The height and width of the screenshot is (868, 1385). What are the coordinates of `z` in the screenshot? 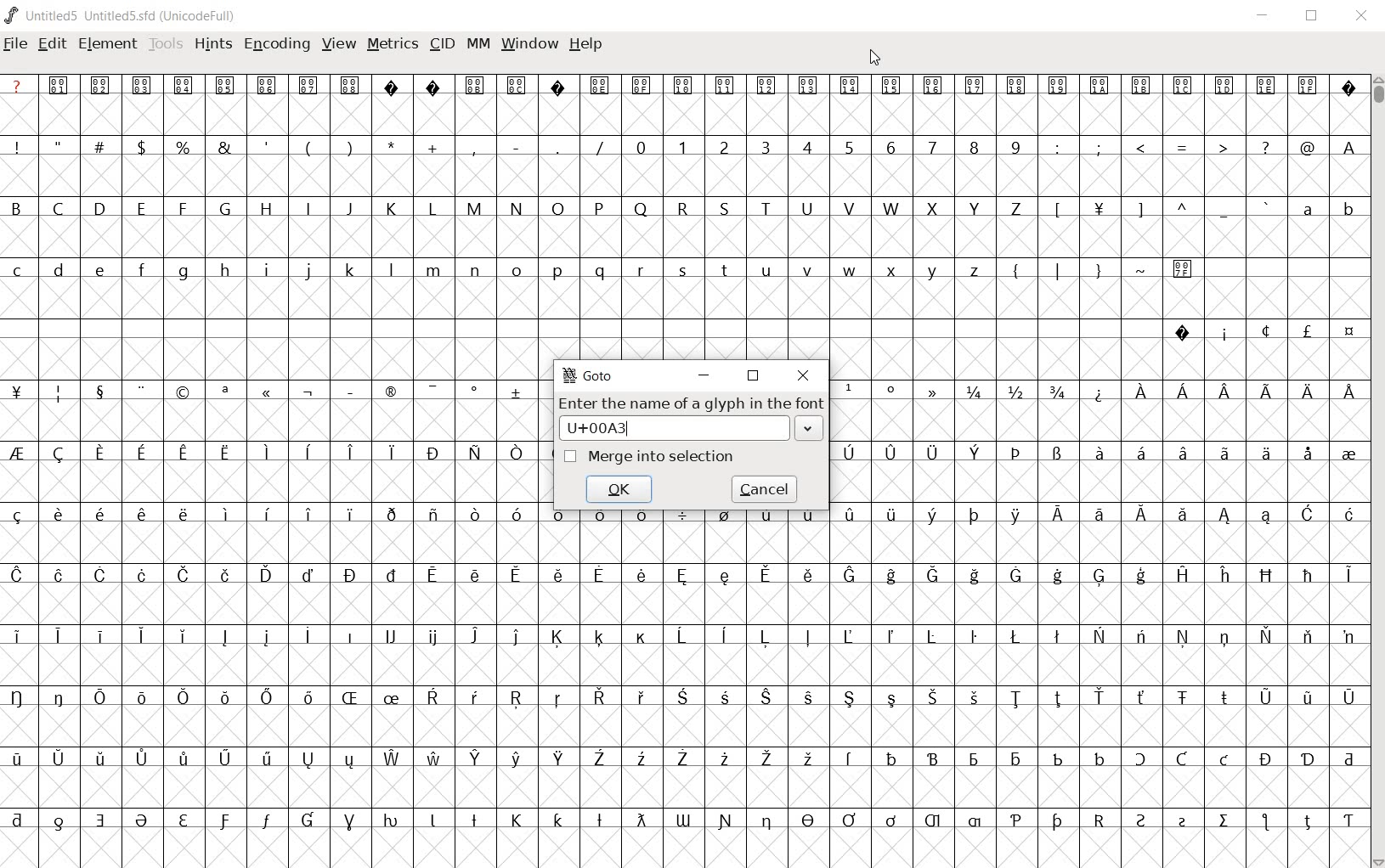 It's located at (975, 268).